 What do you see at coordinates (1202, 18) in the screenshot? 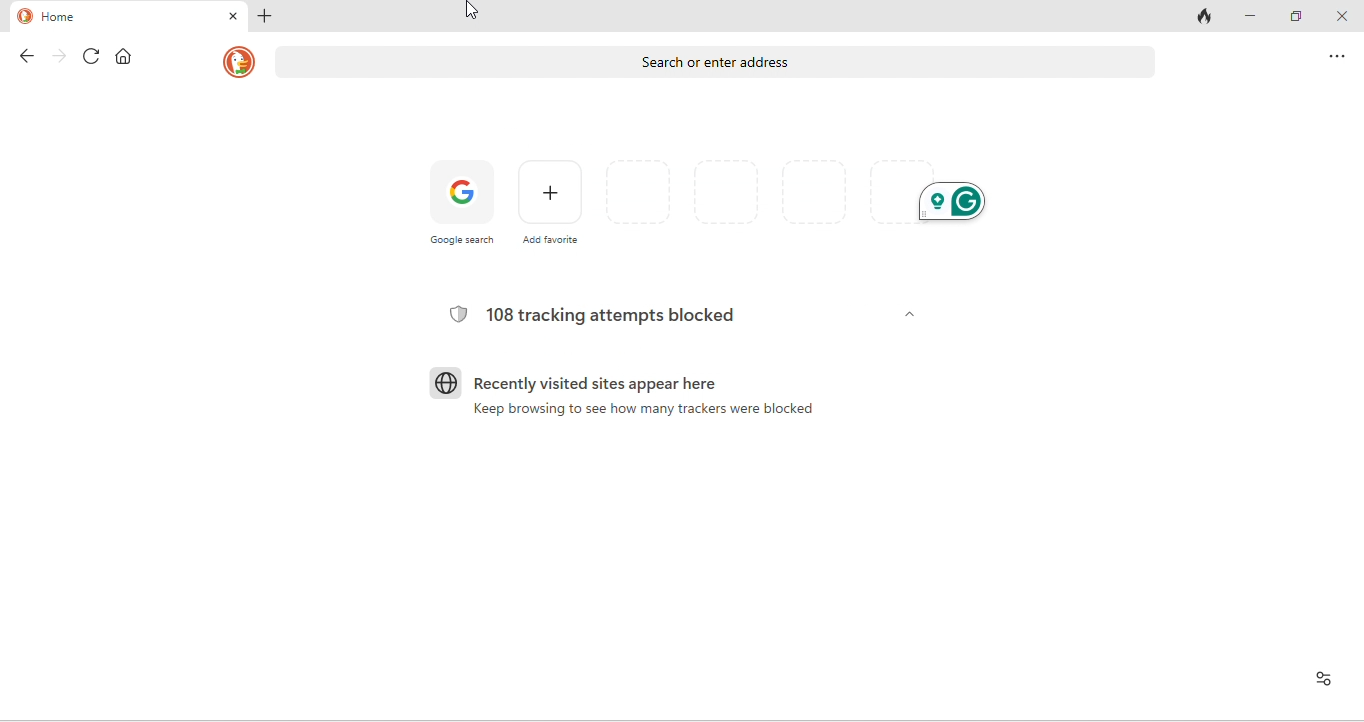
I see `track tab` at bounding box center [1202, 18].